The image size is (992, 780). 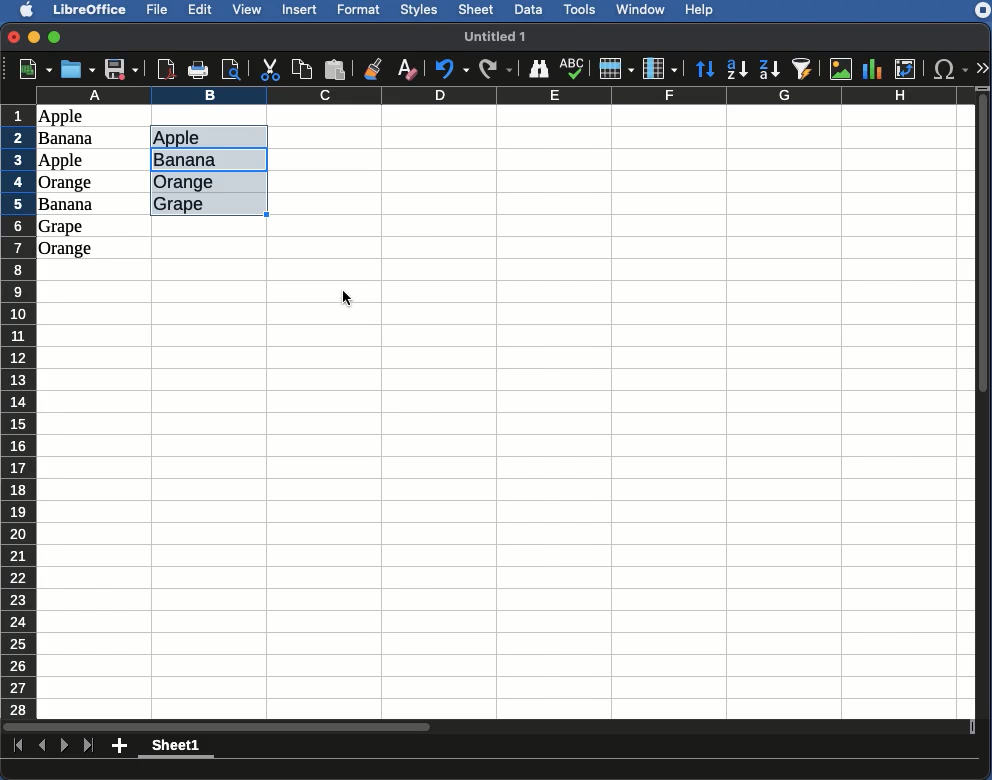 What do you see at coordinates (121, 69) in the screenshot?
I see `Save` at bounding box center [121, 69].